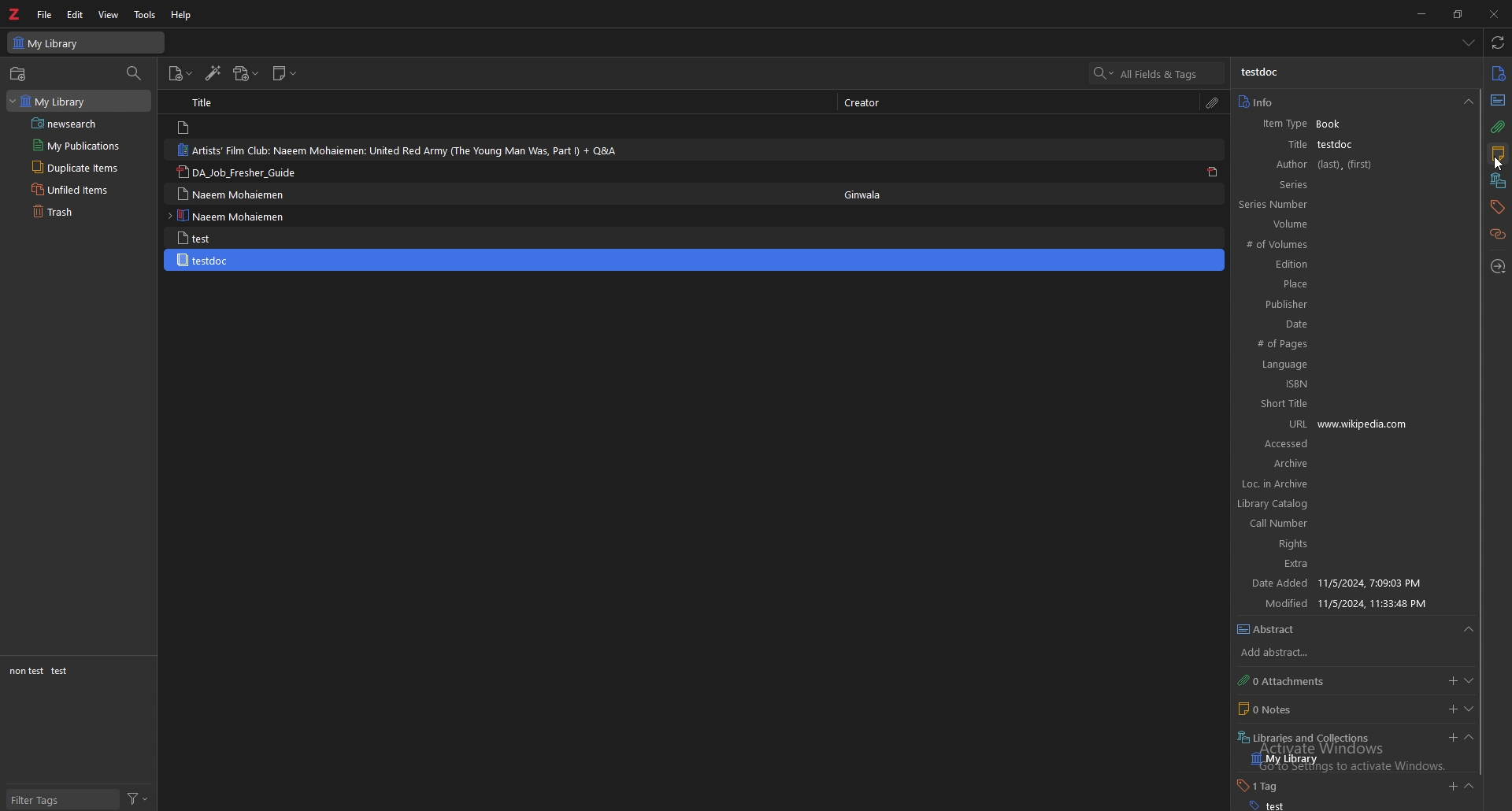  What do you see at coordinates (1497, 233) in the screenshot?
I see `related` at bounding box center [1497, 233].